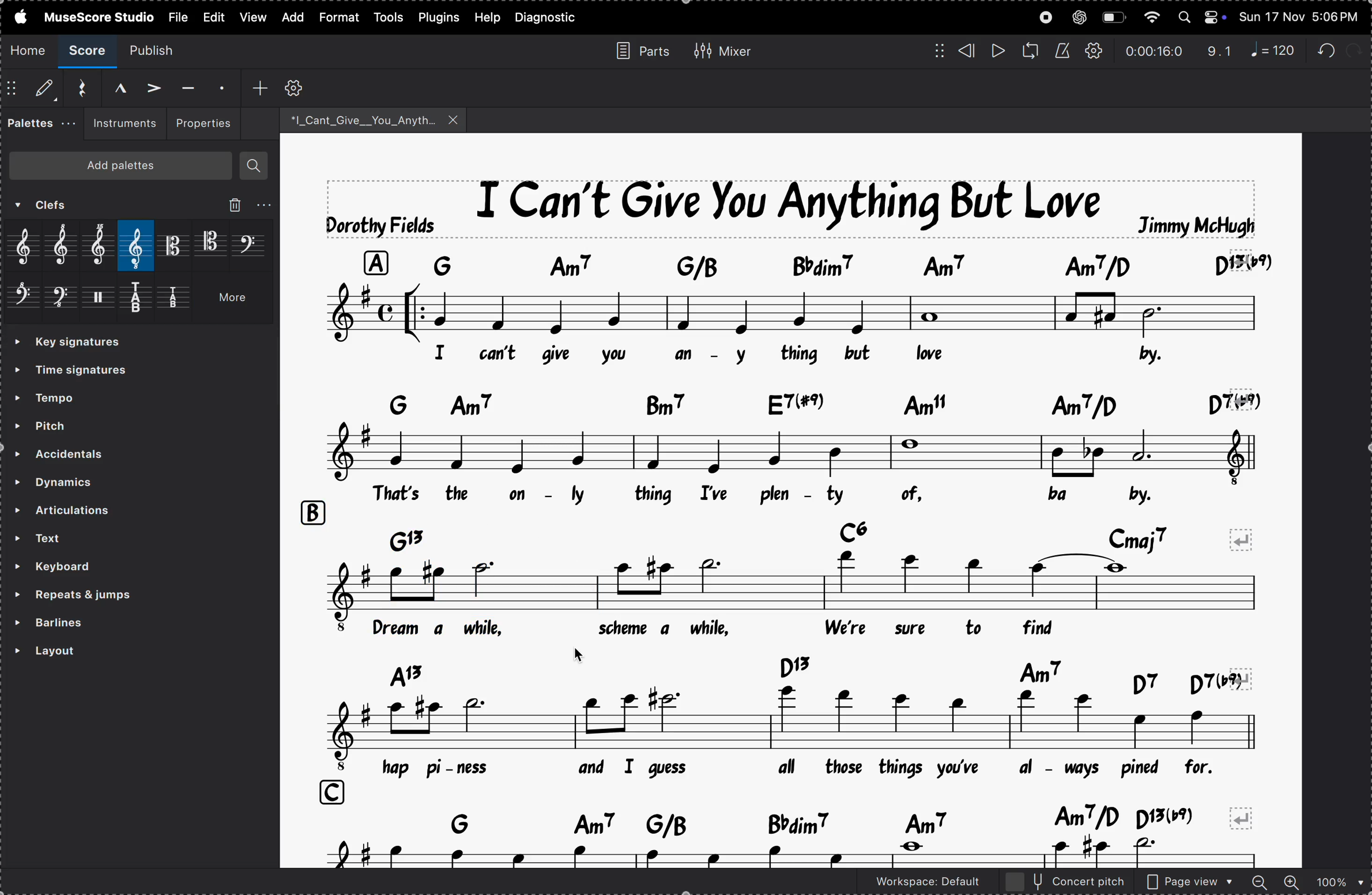 This screenshot has width=1372, height=895. Describe the element at coordinates (89, 51) in the screenshot. I see `score` at that location.